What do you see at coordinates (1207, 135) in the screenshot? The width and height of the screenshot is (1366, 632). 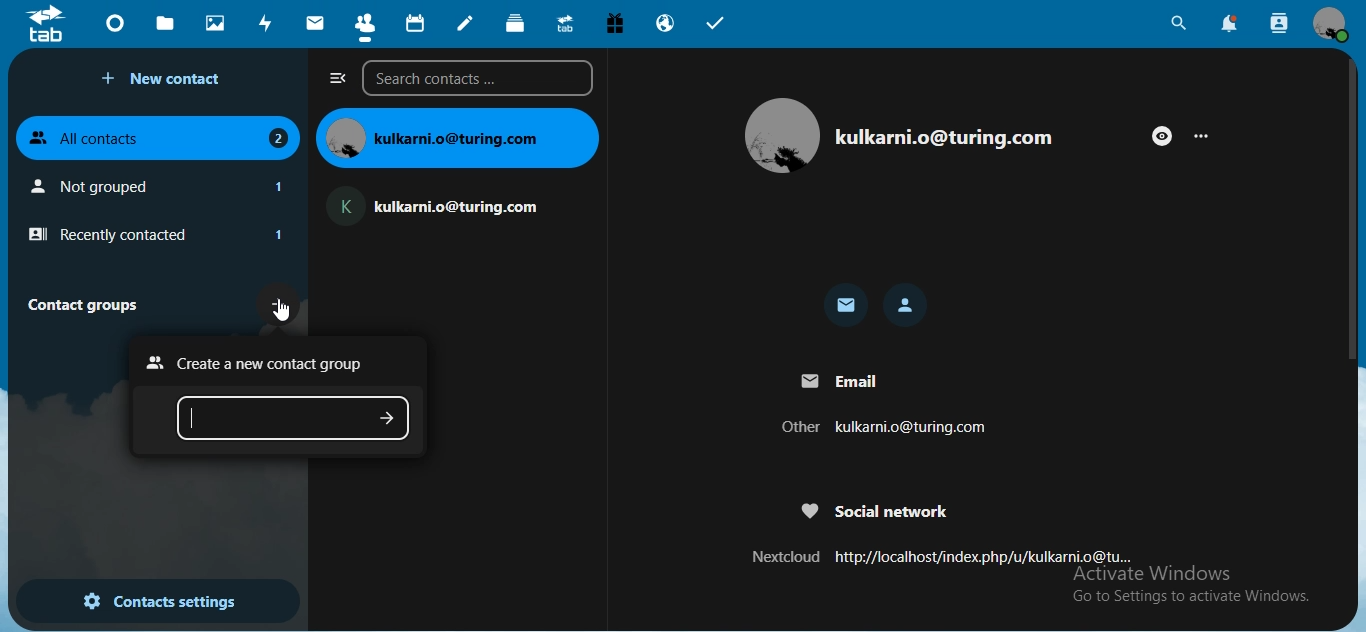 I see `...` at bounding box center [1207, 135].